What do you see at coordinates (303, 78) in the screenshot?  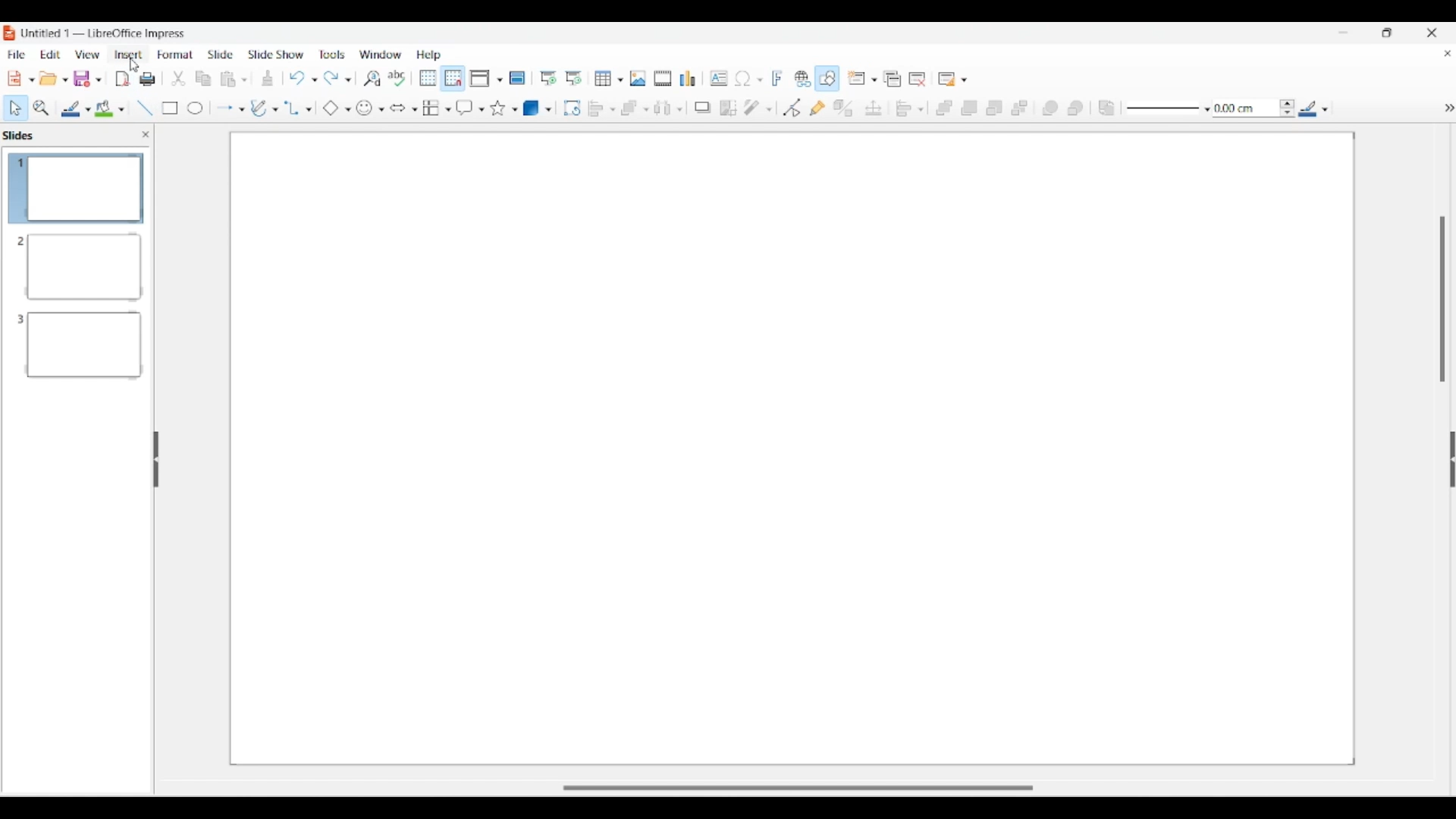 I see `Undo options` at bounding box center [303, 78].